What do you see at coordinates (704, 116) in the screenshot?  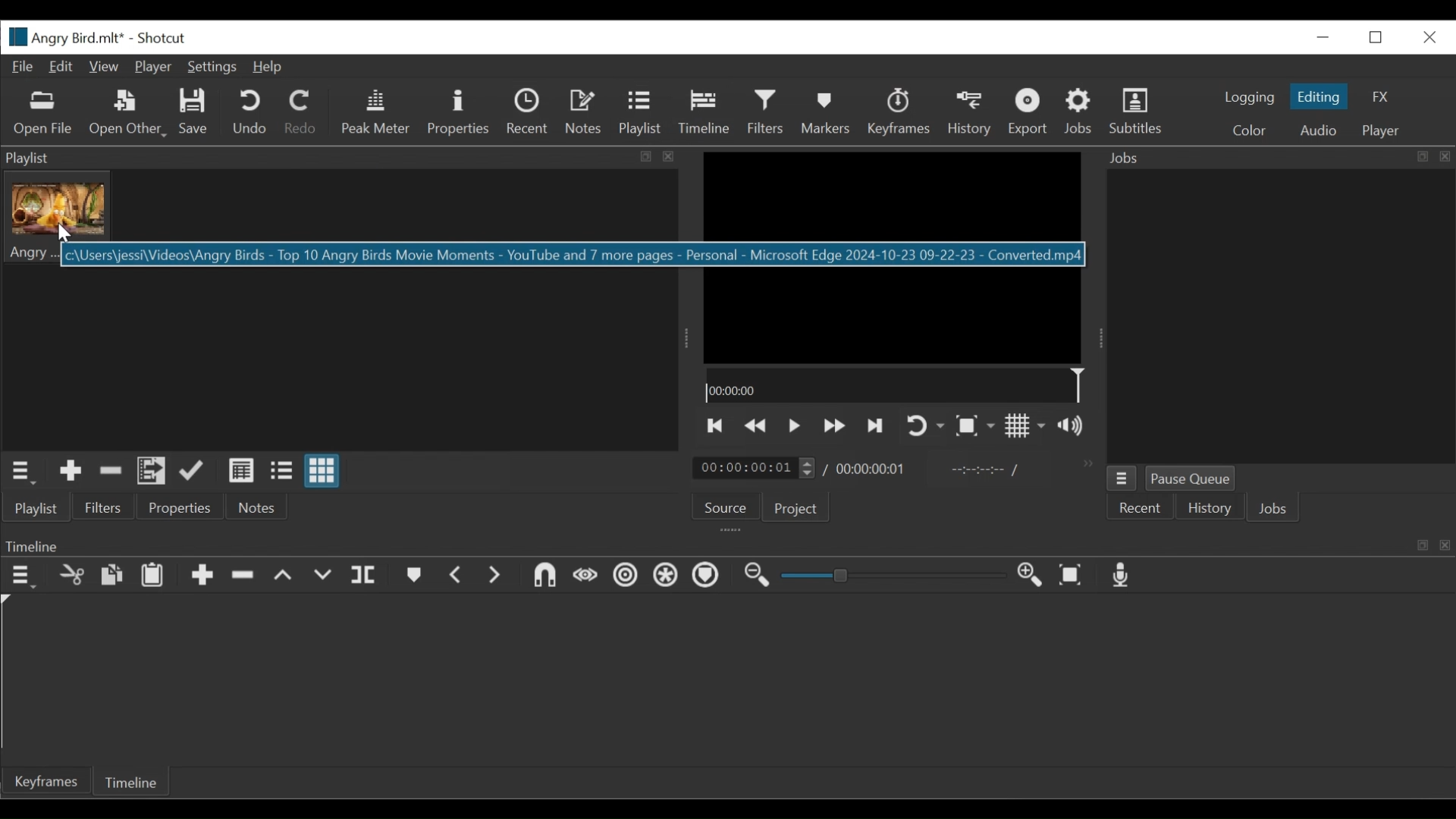 I see `Cursor` at bounding box center [704, 116].